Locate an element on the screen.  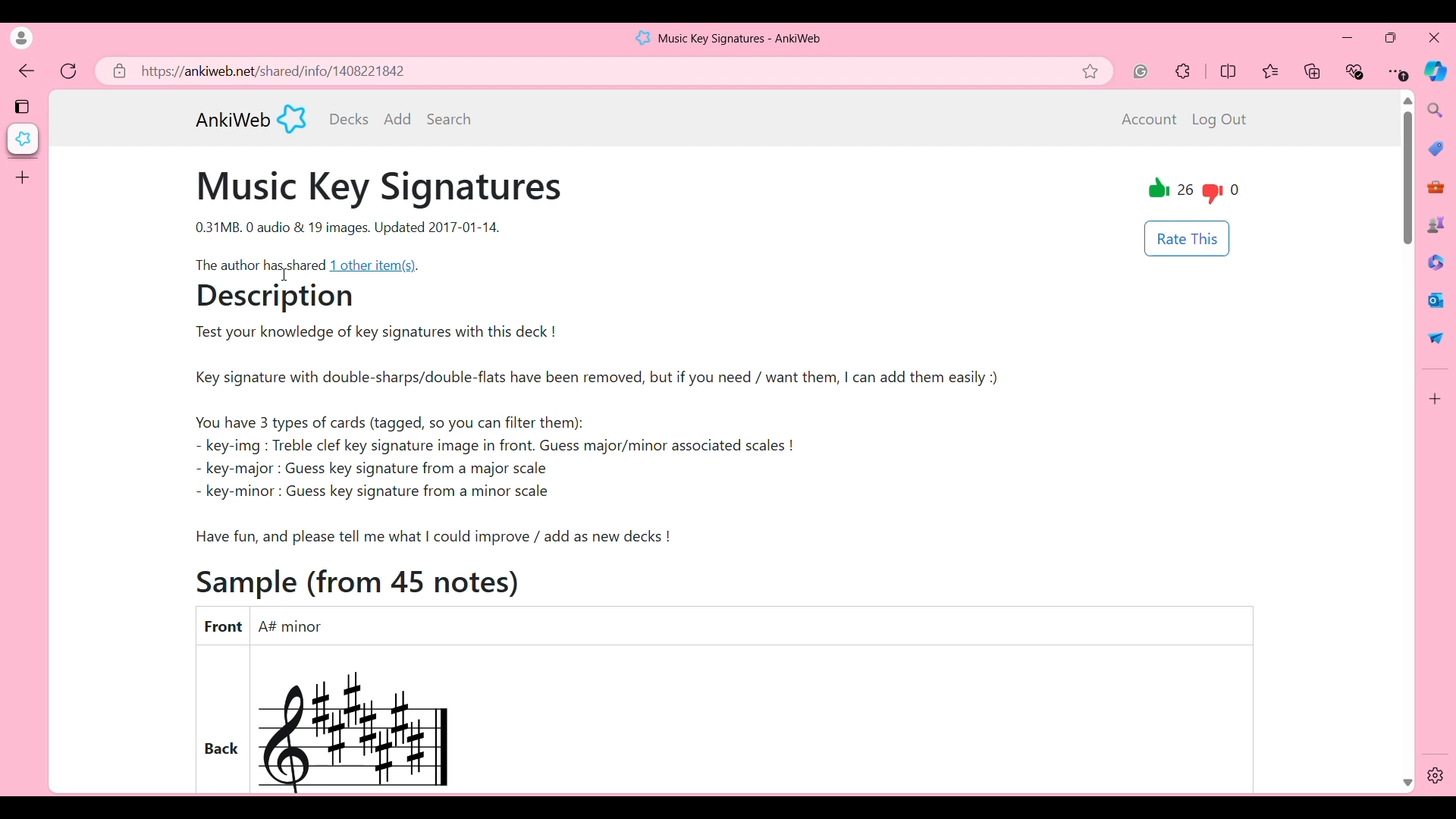
Front is located at coordinates (222, 625).